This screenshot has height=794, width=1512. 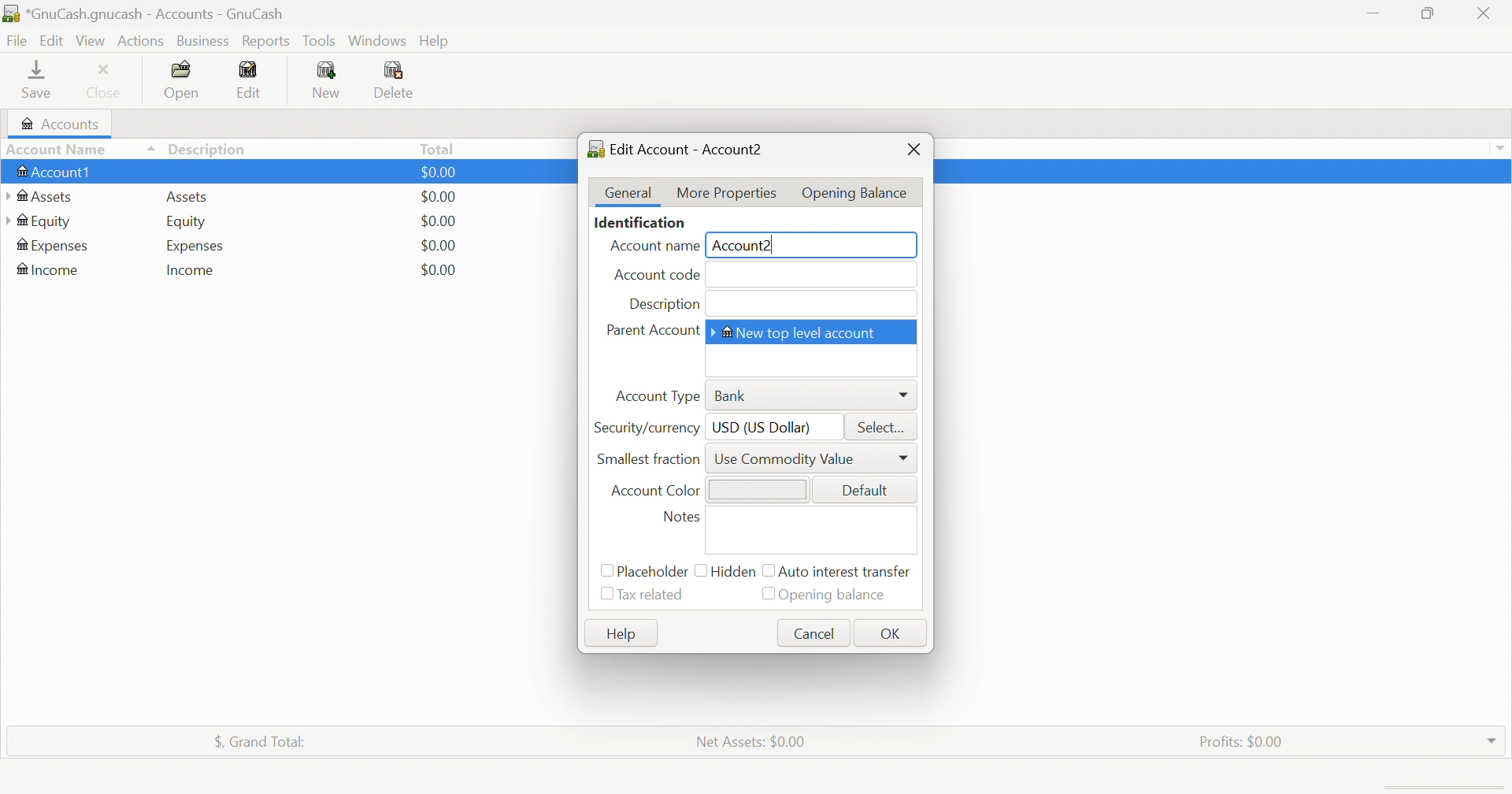 What do you see at coordinates (50, 40) in the screenshot?
I see `Edit` at bounding box center [50, 40].